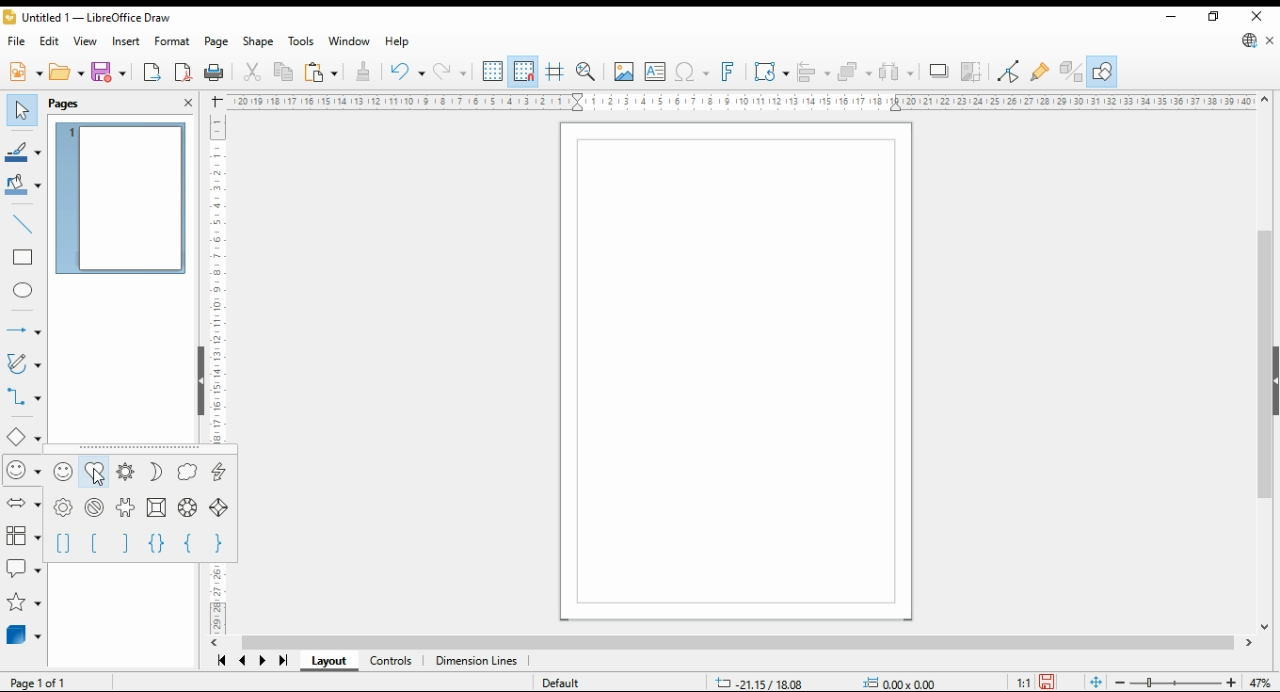 This screenshot has width=1280, height=692. Describe the element at coordinates (735, 643) in the screenshot. I see `scroll bar` at that location.